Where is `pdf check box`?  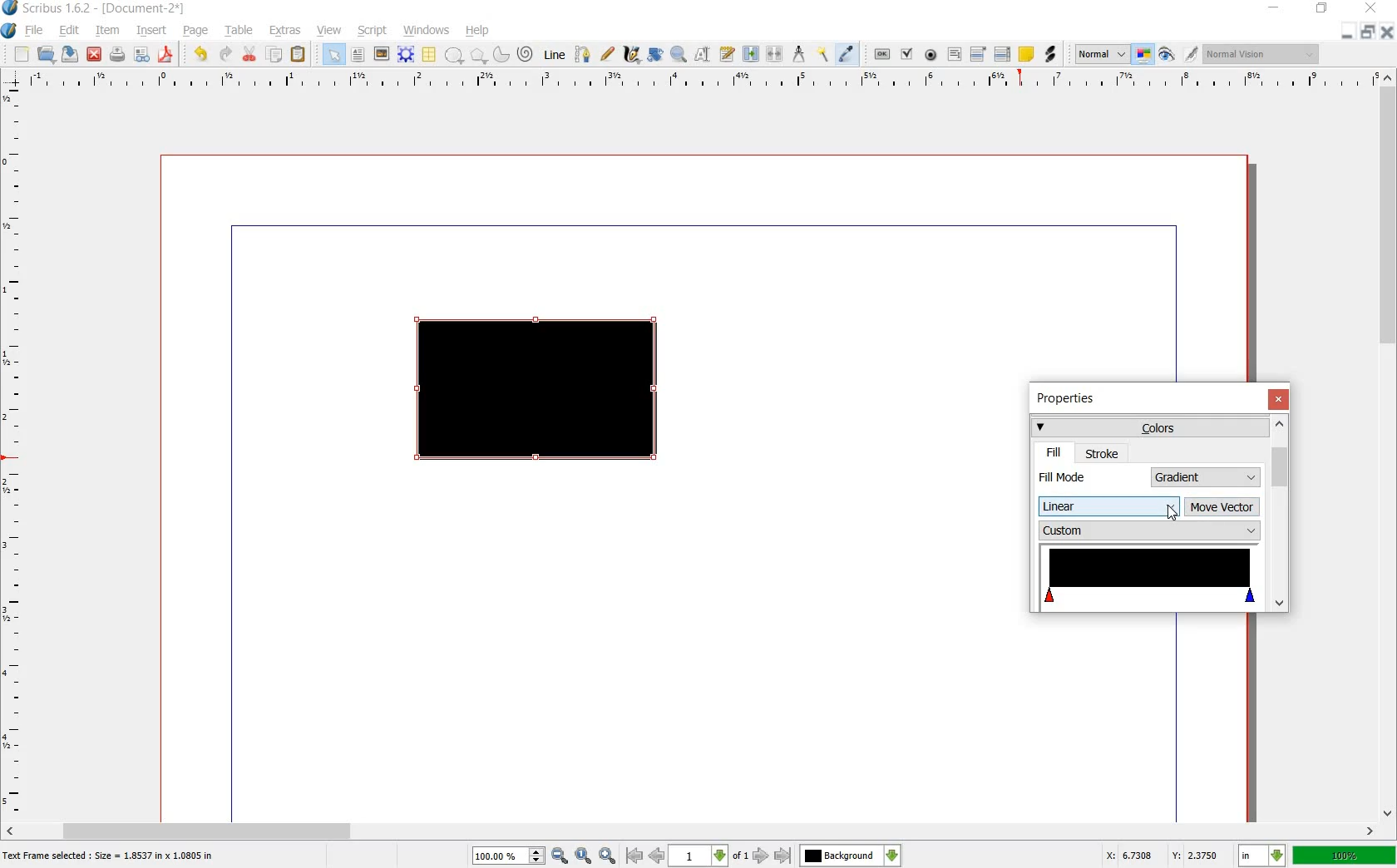 pdf check box is located at coordinates (906, 54).